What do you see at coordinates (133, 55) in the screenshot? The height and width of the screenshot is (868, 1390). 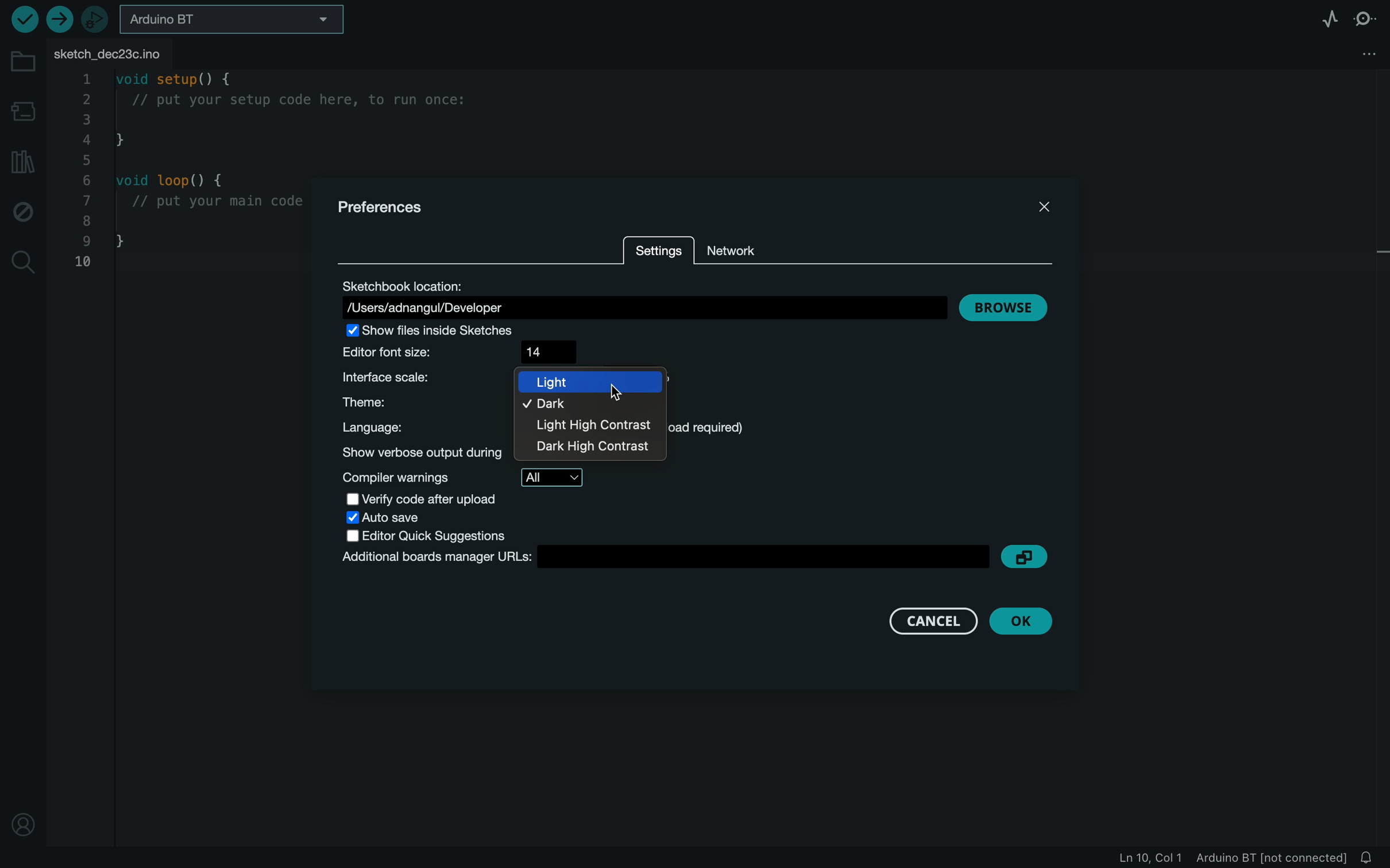 I see `file tab` at bounding box center [133, 55].